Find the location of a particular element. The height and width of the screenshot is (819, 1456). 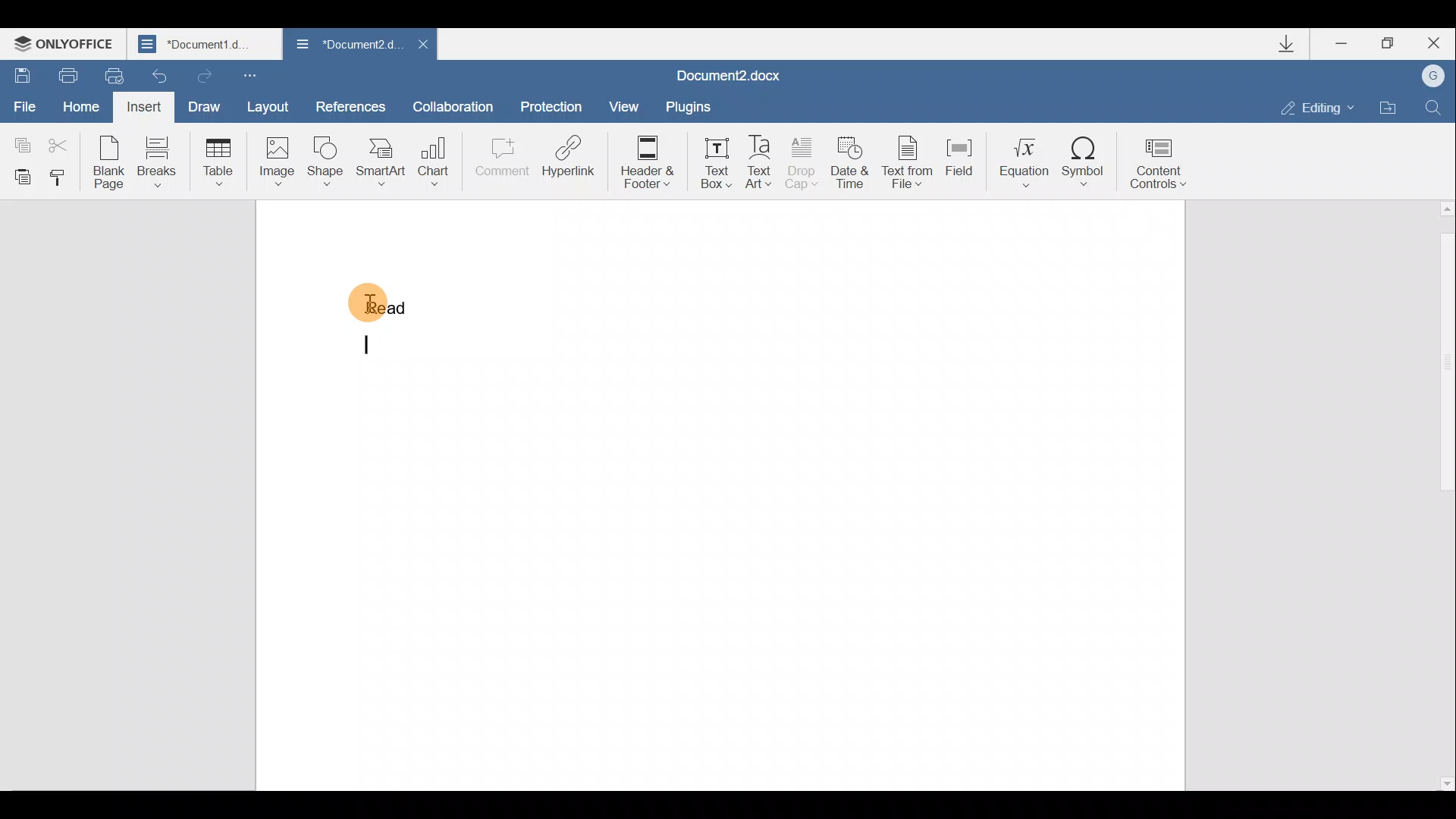

References is located at coordinates (351, 105).